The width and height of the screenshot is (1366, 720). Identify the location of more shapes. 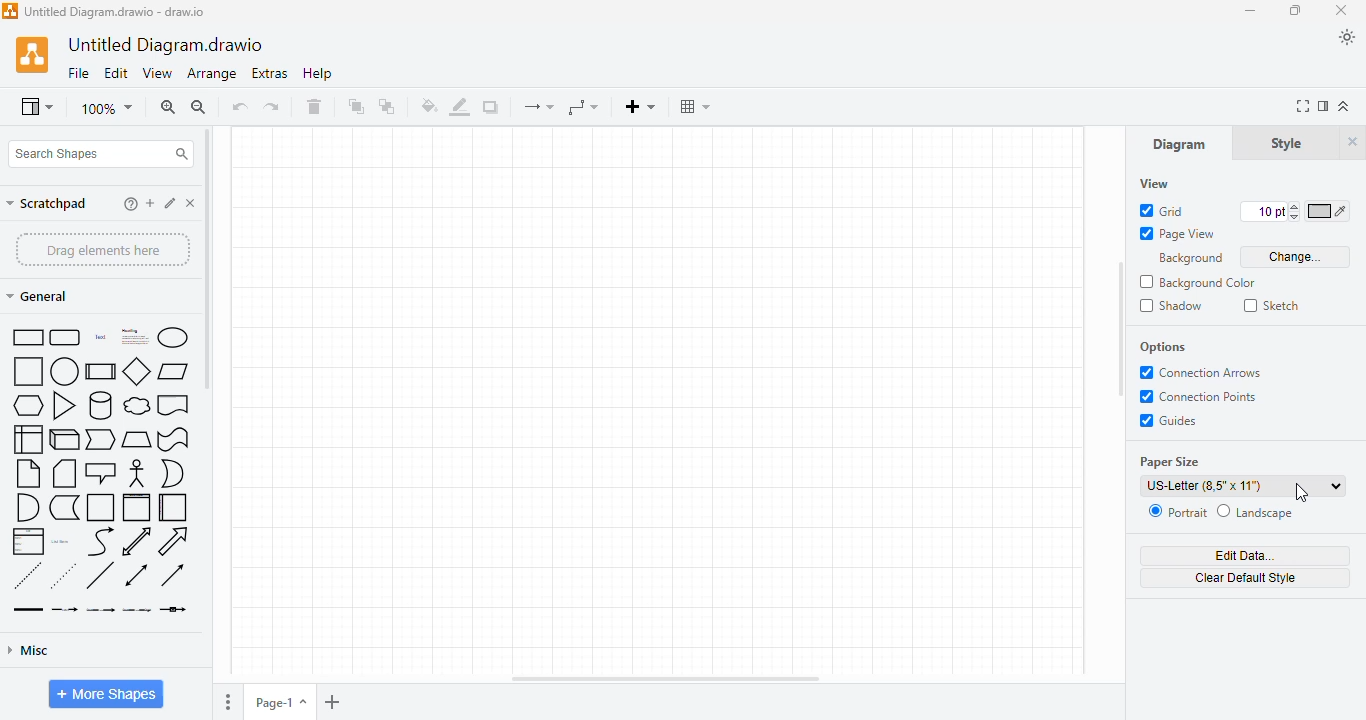
(107, 694).